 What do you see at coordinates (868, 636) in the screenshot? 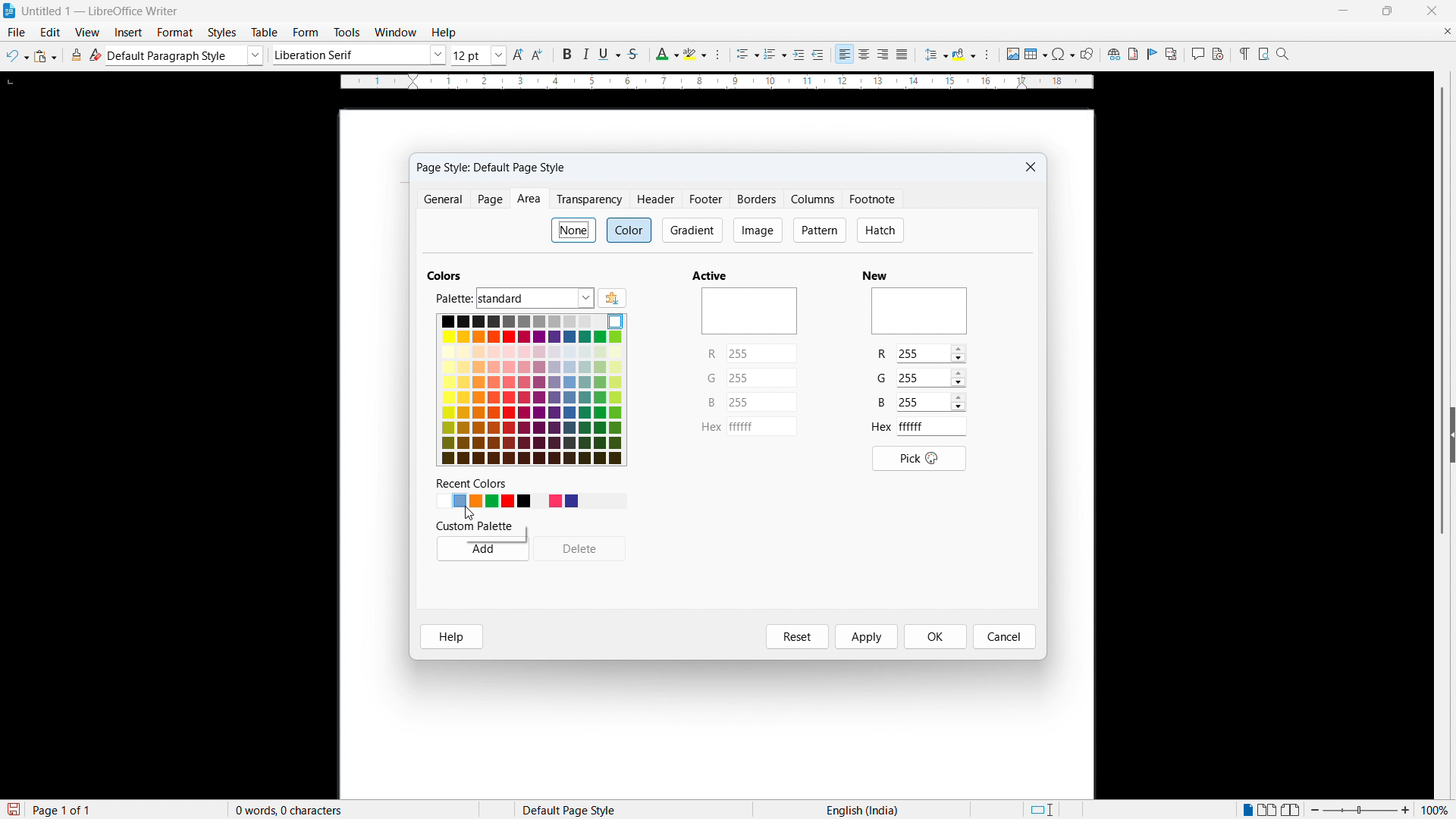
I see `Apply ` at bounding box center [868, 636].